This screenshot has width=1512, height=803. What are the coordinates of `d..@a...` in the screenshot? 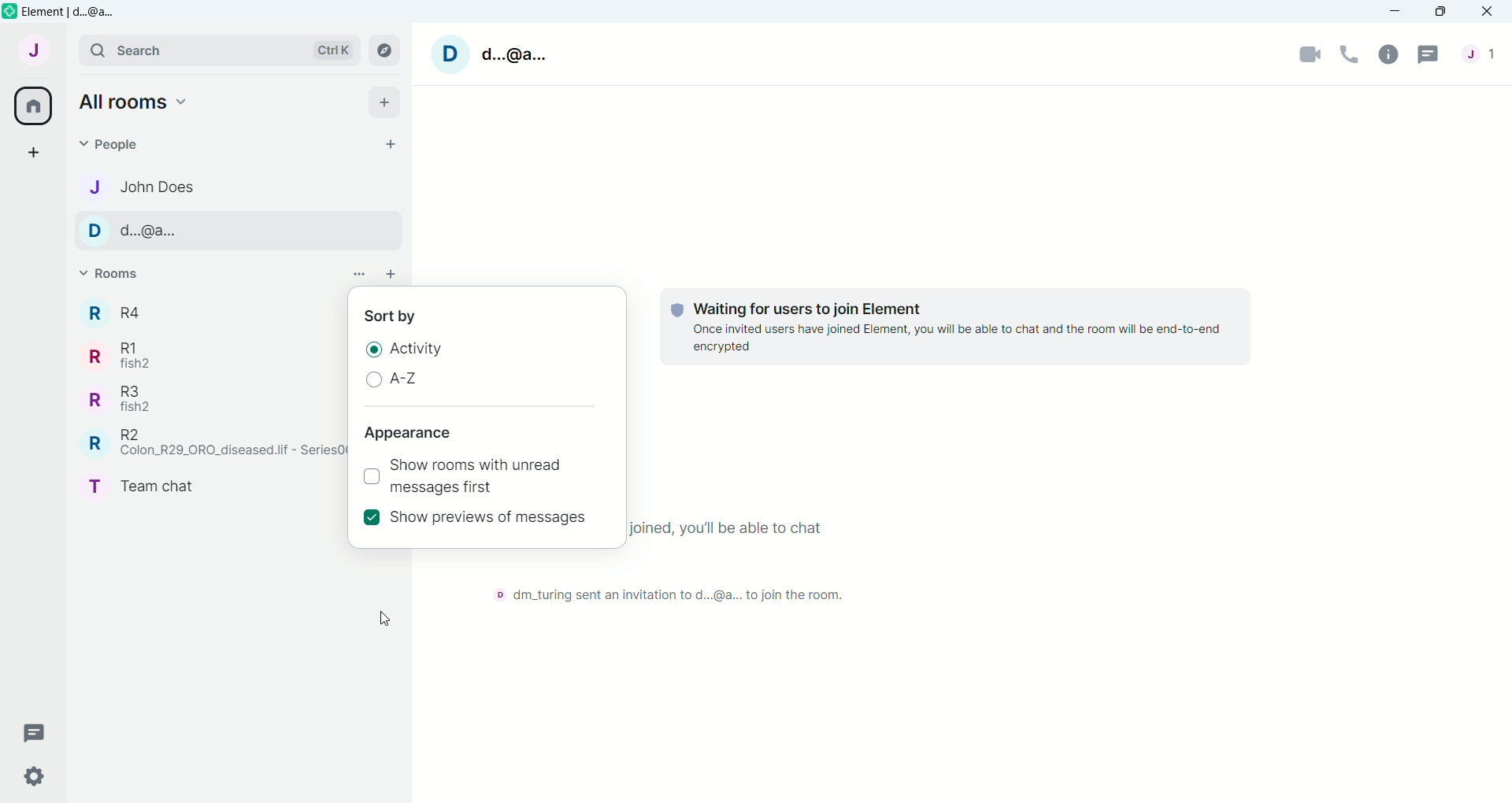 It's located at (516, 56).